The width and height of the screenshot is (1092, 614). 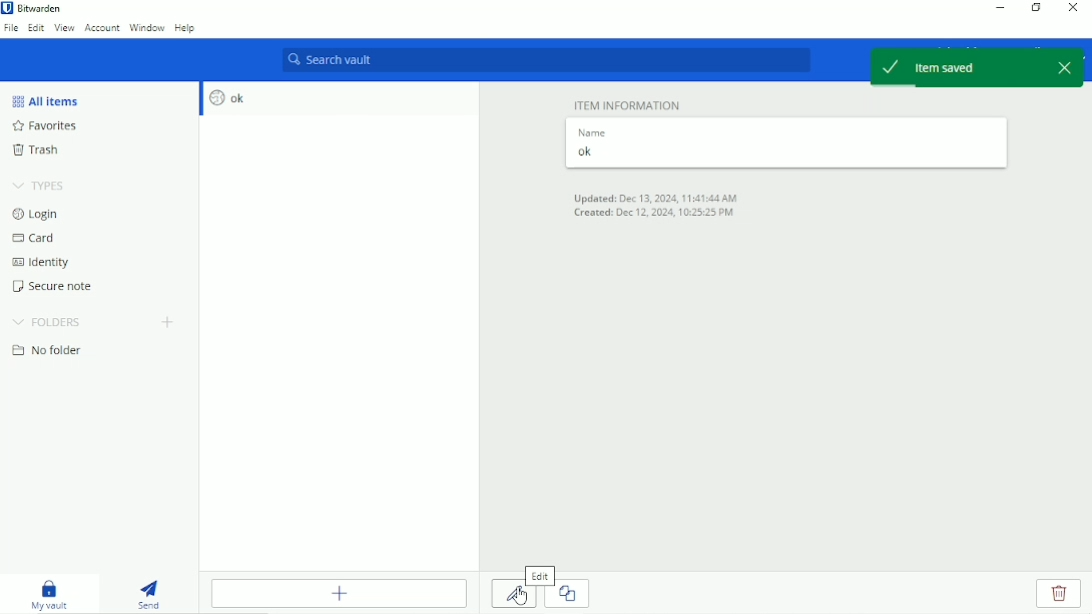 What do you see at coordinates (34, 28) in the screenshot?
I see `Edit` at bounding box center [34, 28].